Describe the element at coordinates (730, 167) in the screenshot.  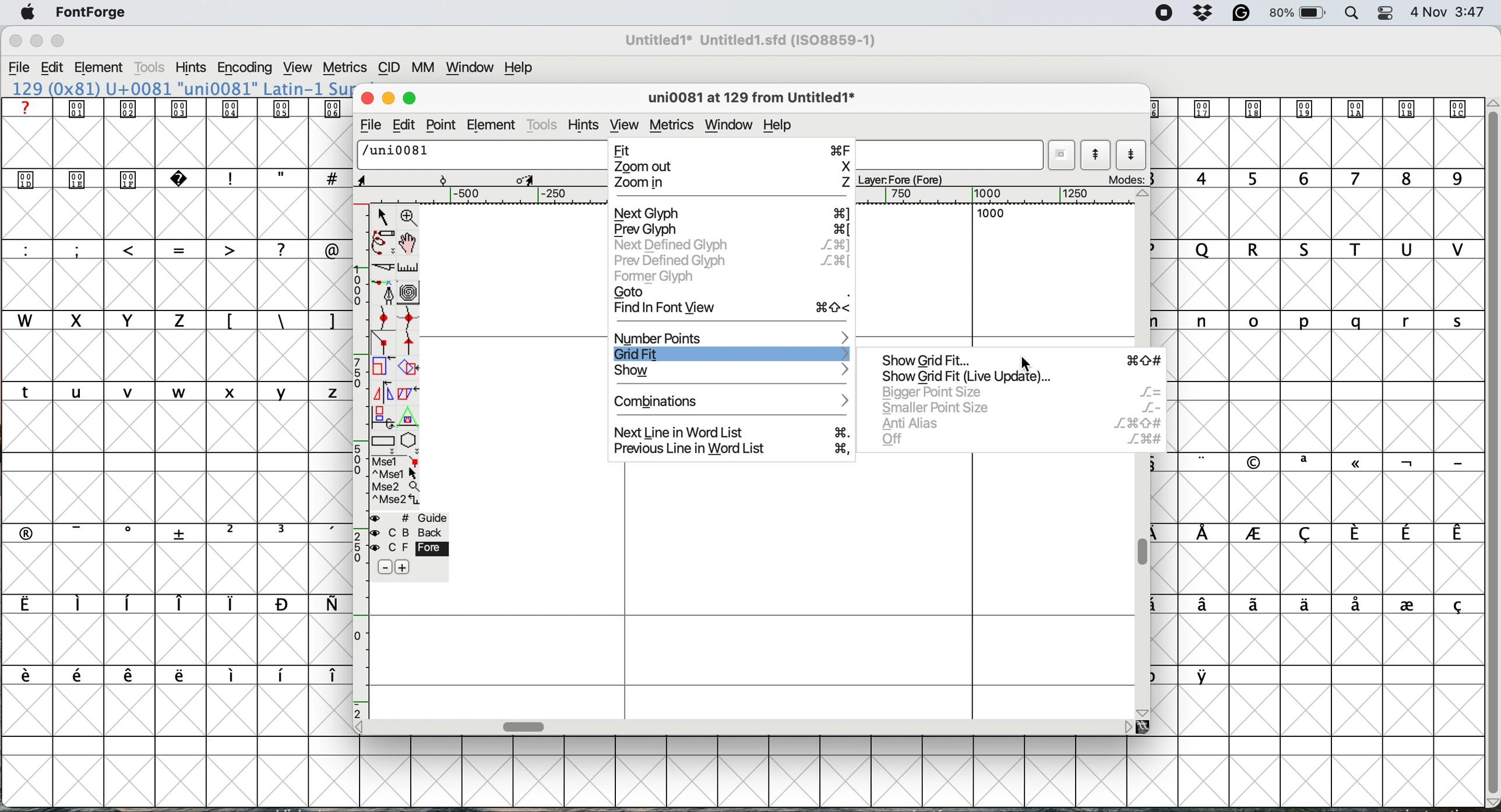
I see `zoom out` at that location.